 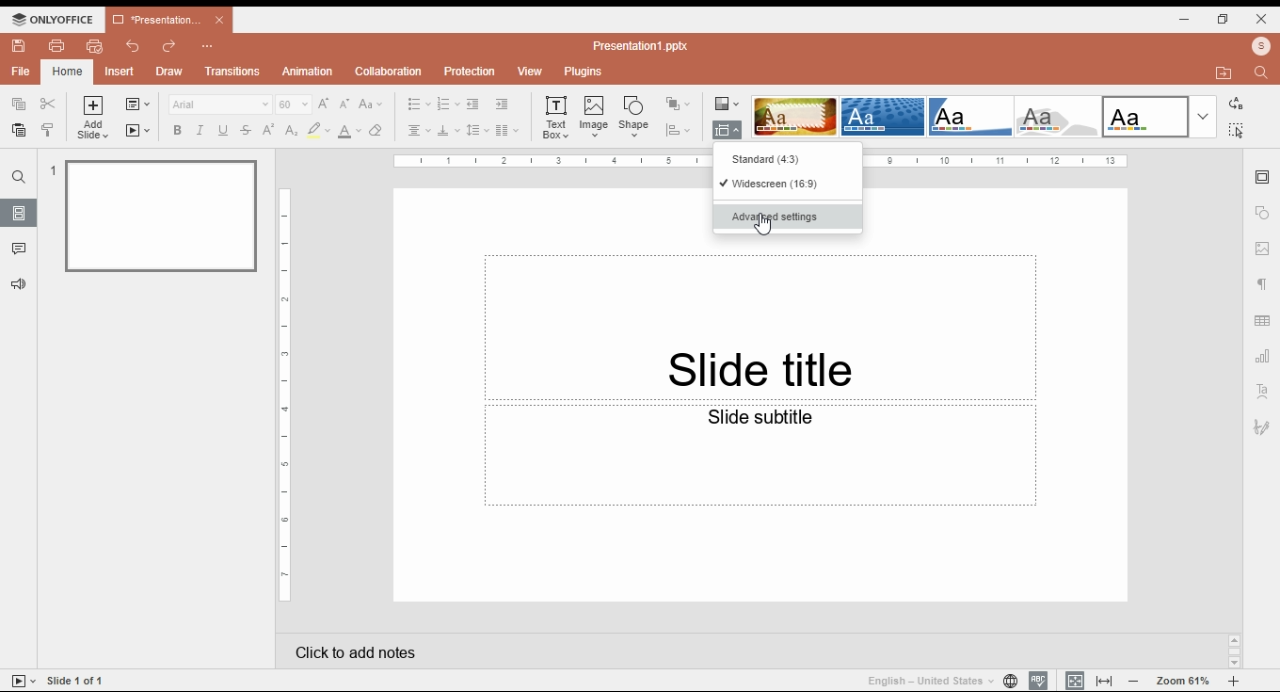 I want to click on strikethrough, so click(x=246, y=130).